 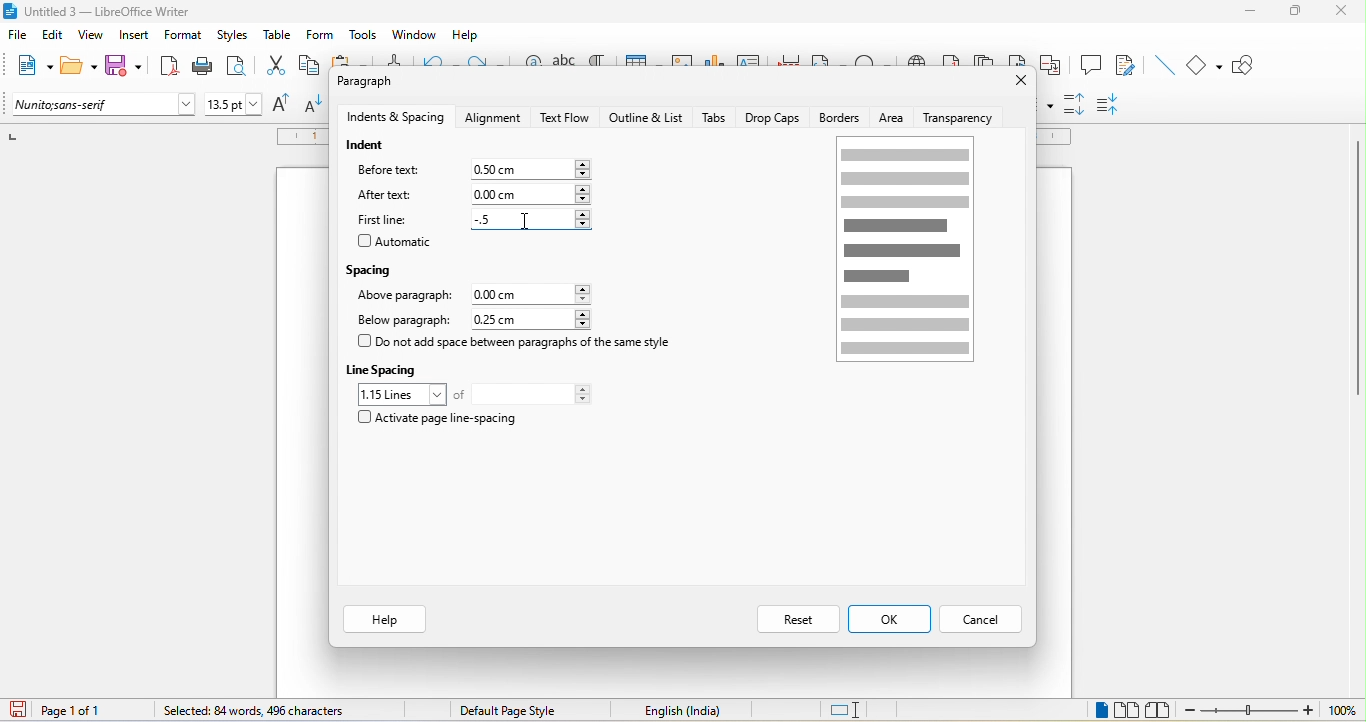 What do you see at coordinates (362, 36) in the screenshot?
I see `tools` at bounding box center [362, 36].